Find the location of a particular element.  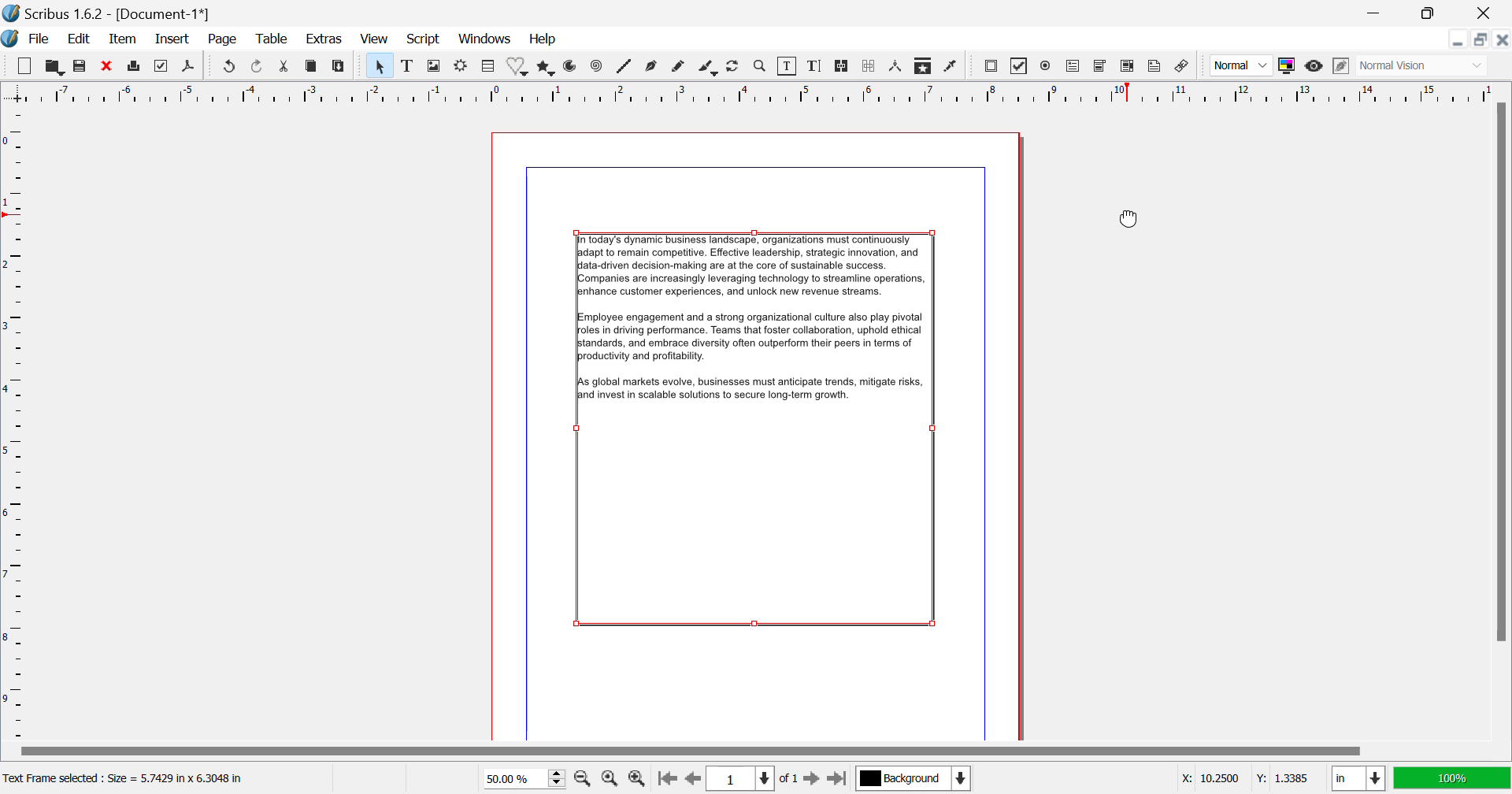

Zoom 50% is located at coordinates (523, 777).